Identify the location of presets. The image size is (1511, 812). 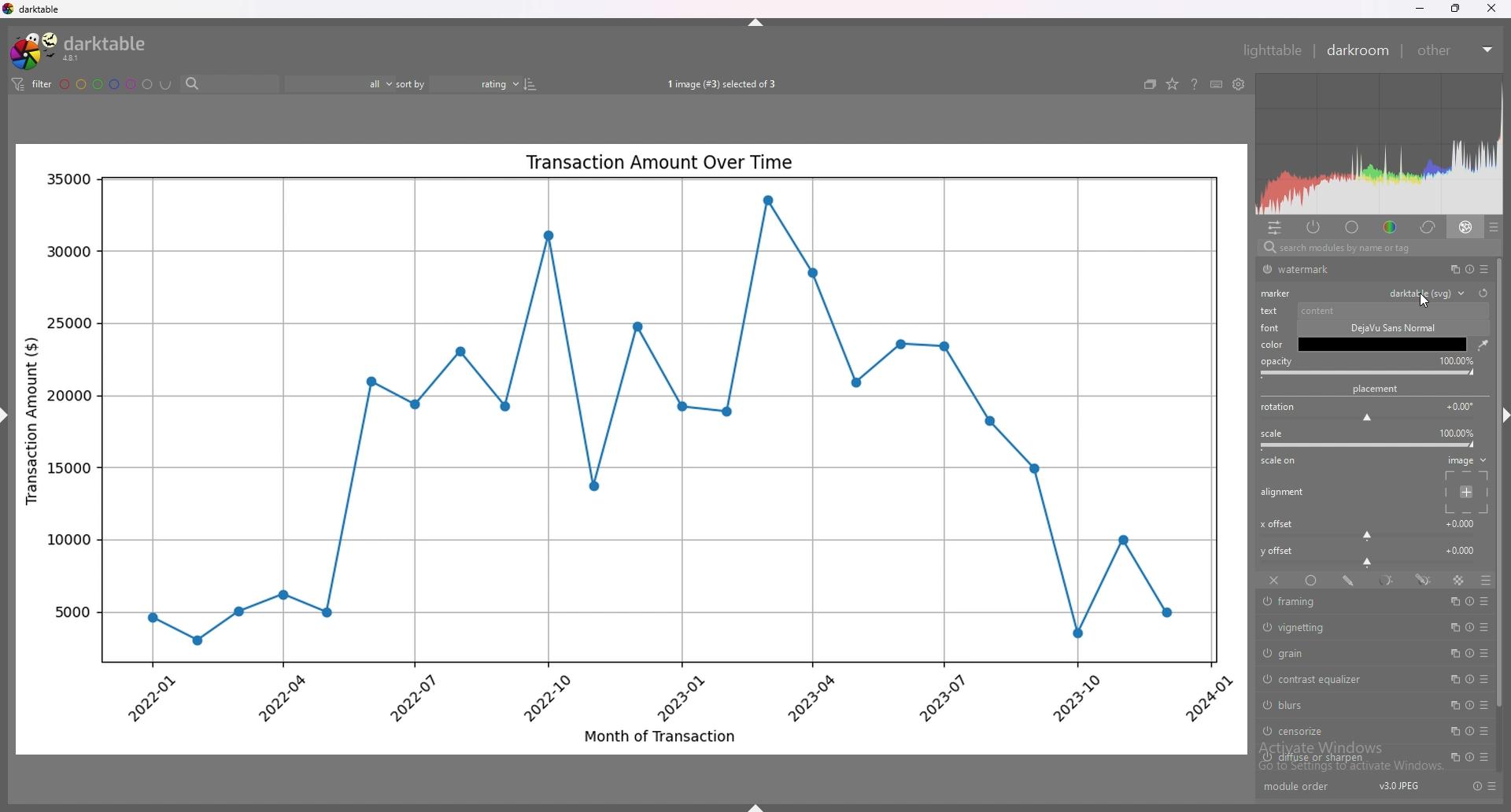
(1482, 757).